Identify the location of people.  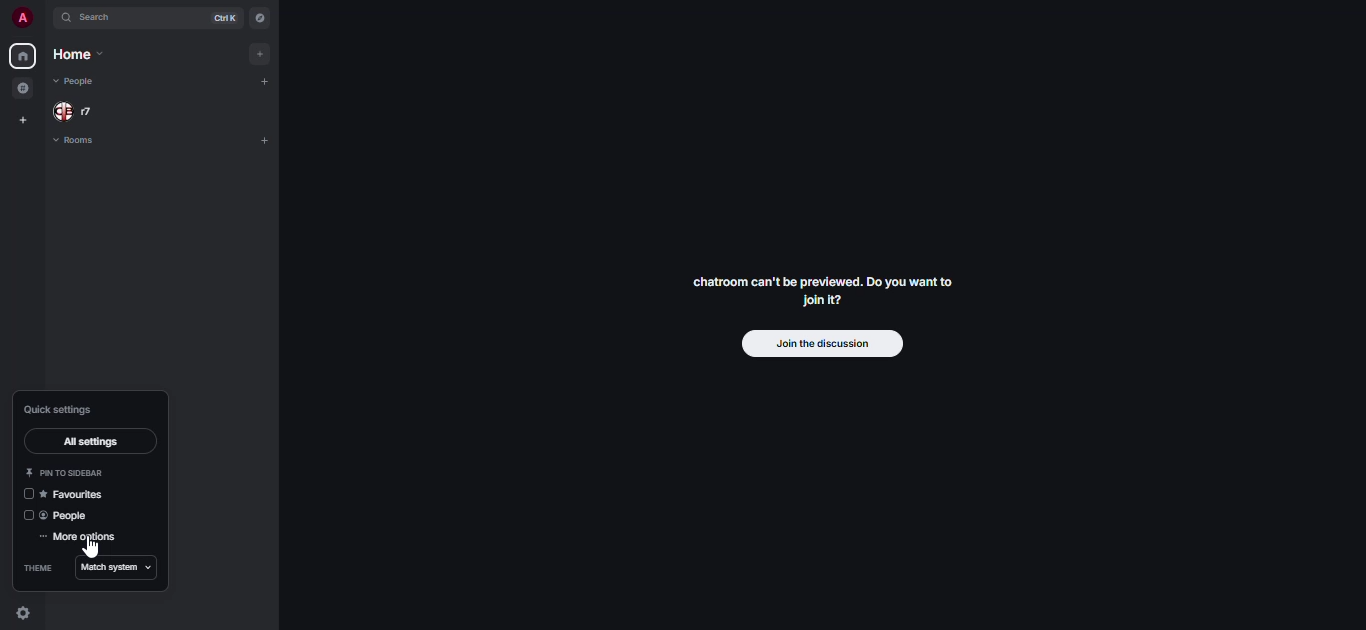
(74, 82).